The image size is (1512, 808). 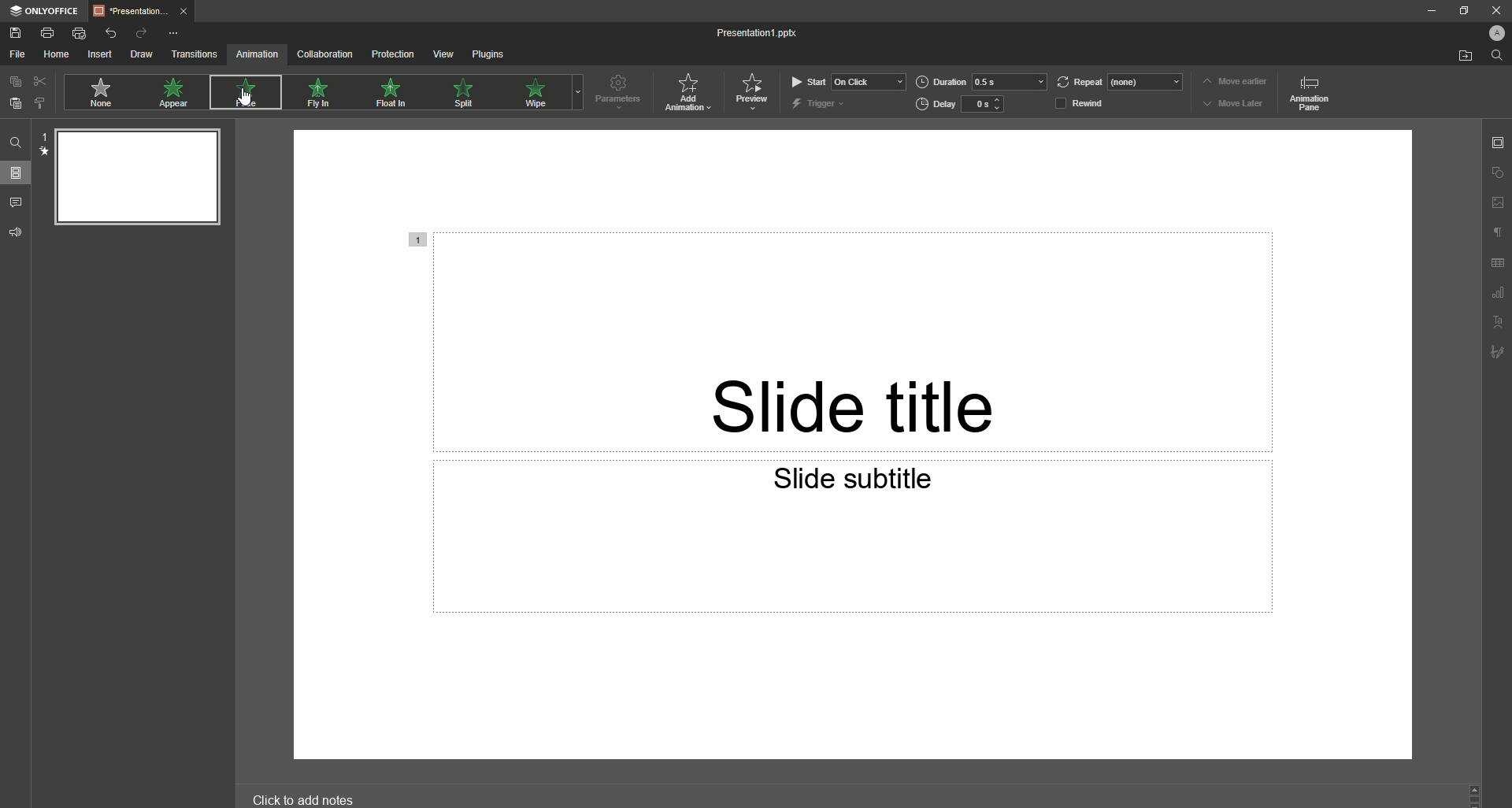 I want to click on Start (on Click), so click(x=848, y=81).